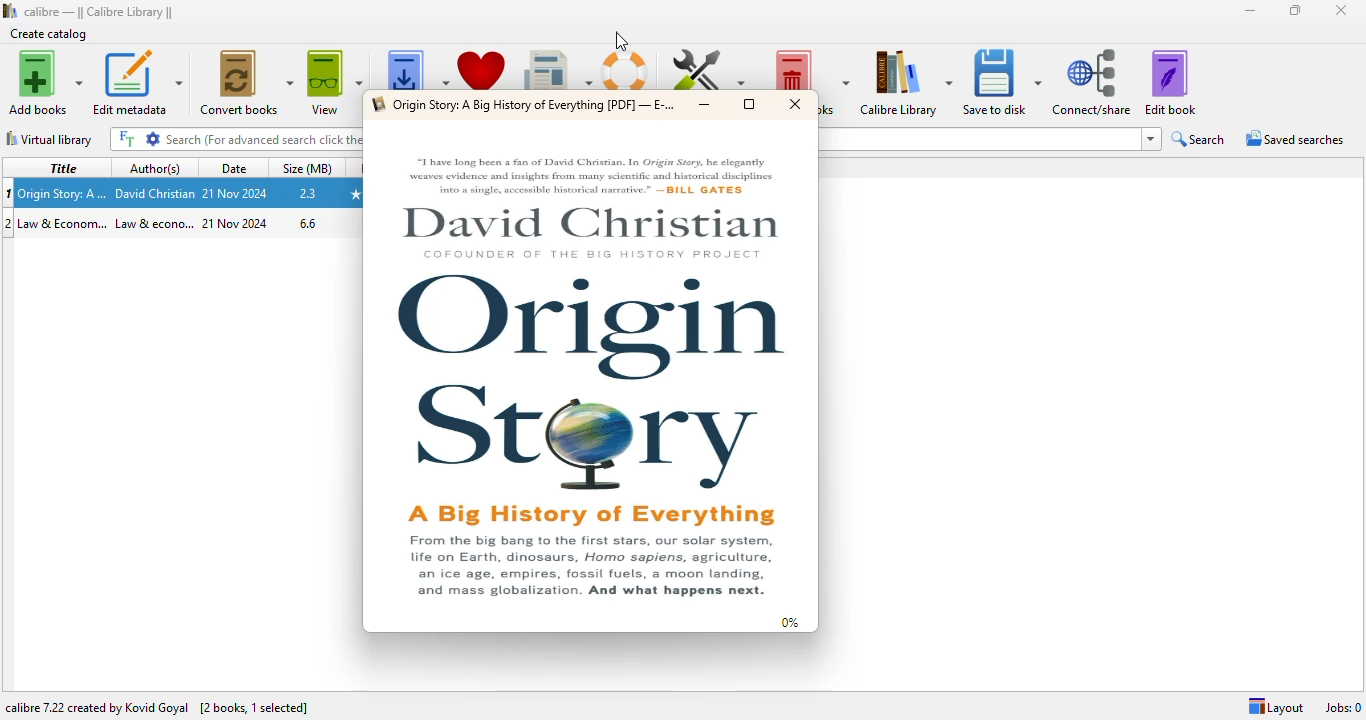  I want to click on origin story, so click(589, 382).